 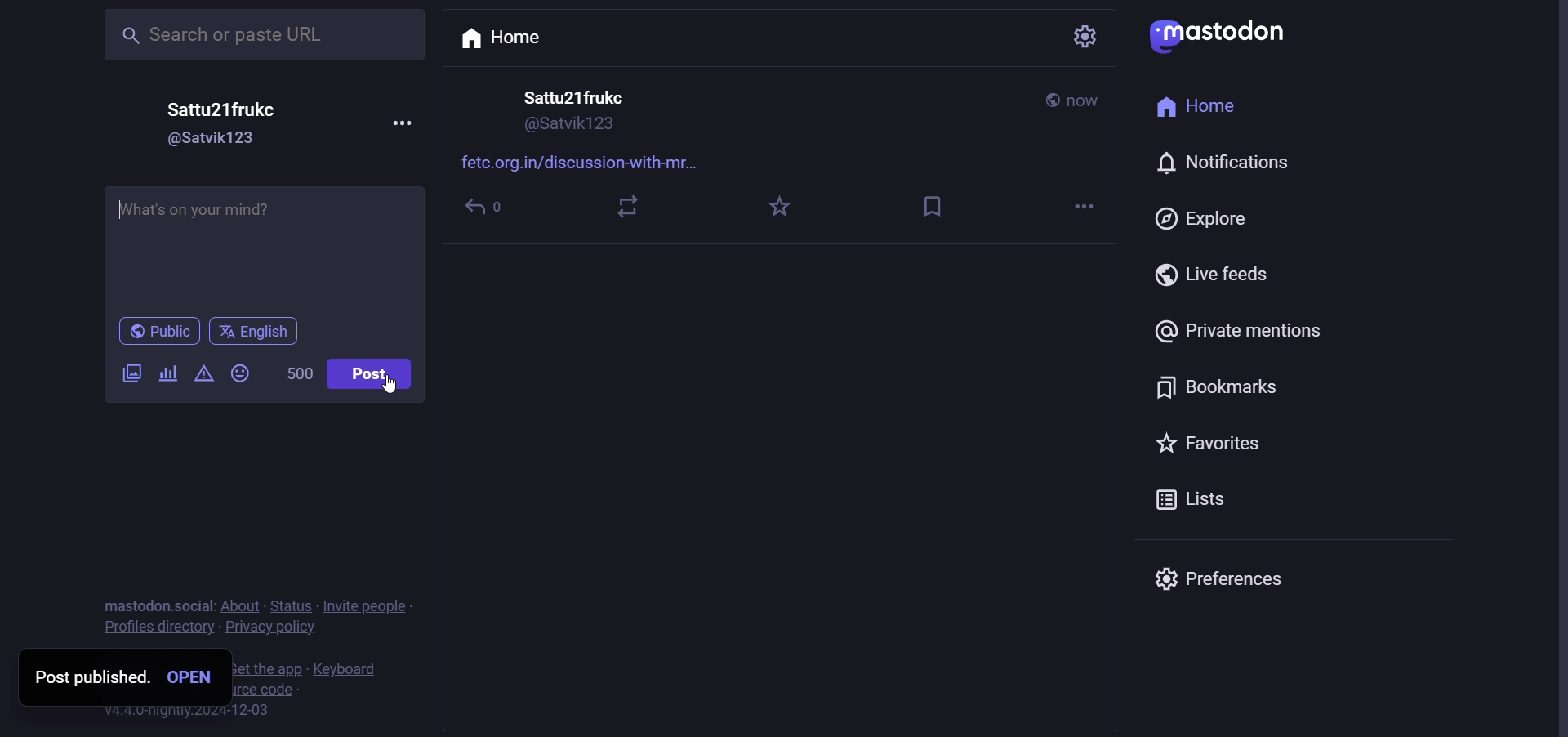 What do you see at coordinates (258, 35) in the screenshot?
I see `search` at bounding box center [258, 35].